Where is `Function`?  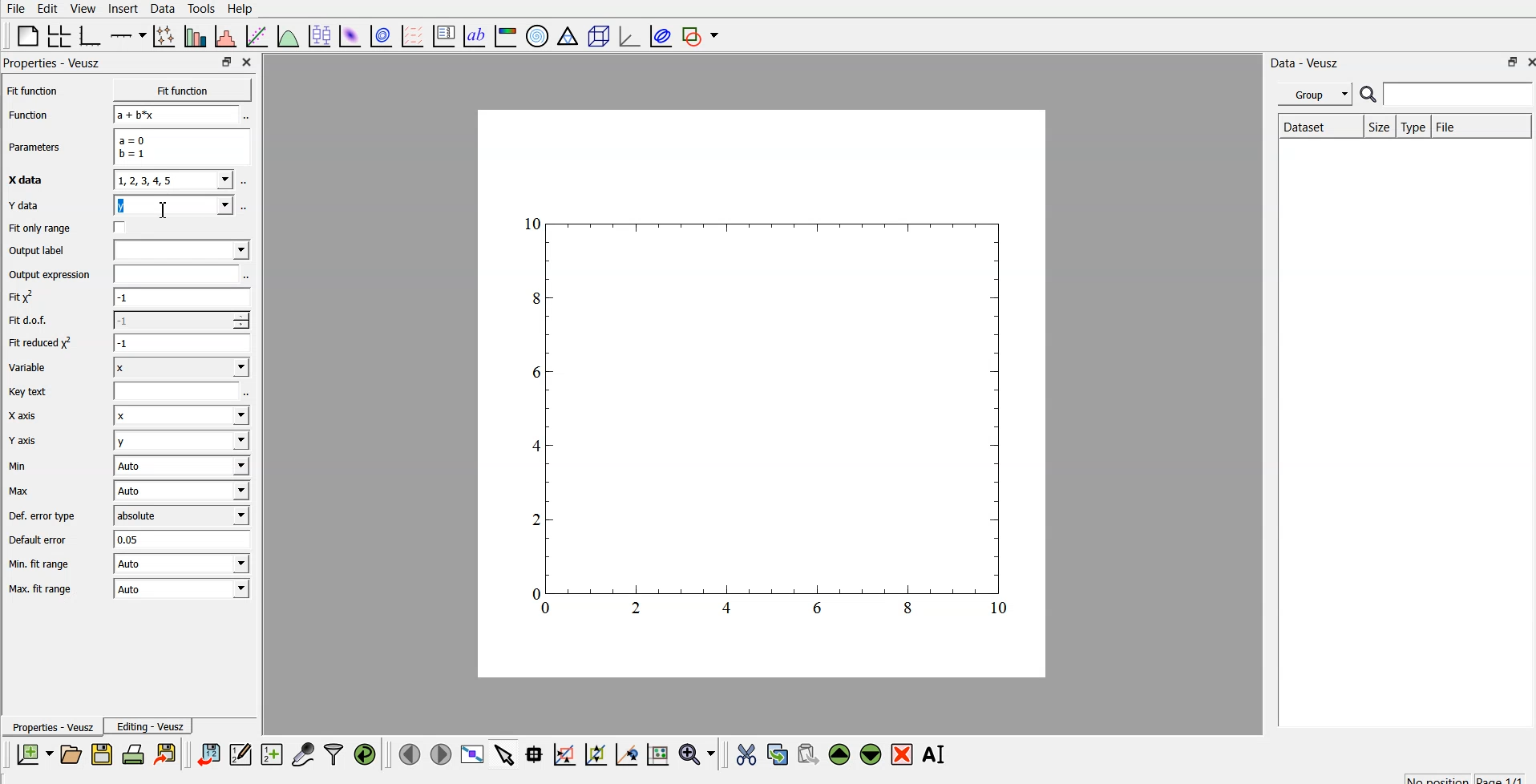 Function is located at coordinates (44, 116).